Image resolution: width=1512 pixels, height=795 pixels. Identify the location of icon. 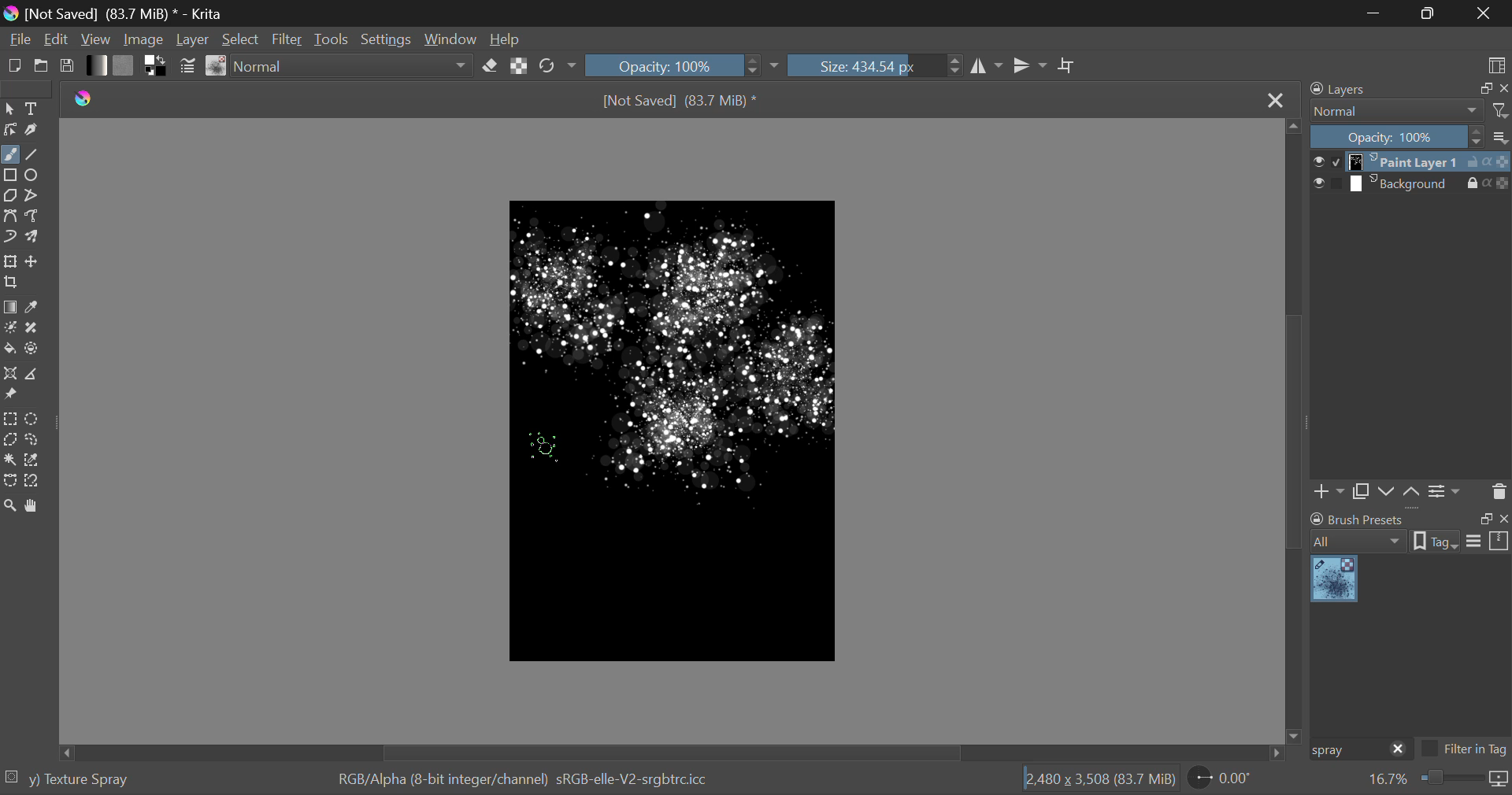
(1499, 780).